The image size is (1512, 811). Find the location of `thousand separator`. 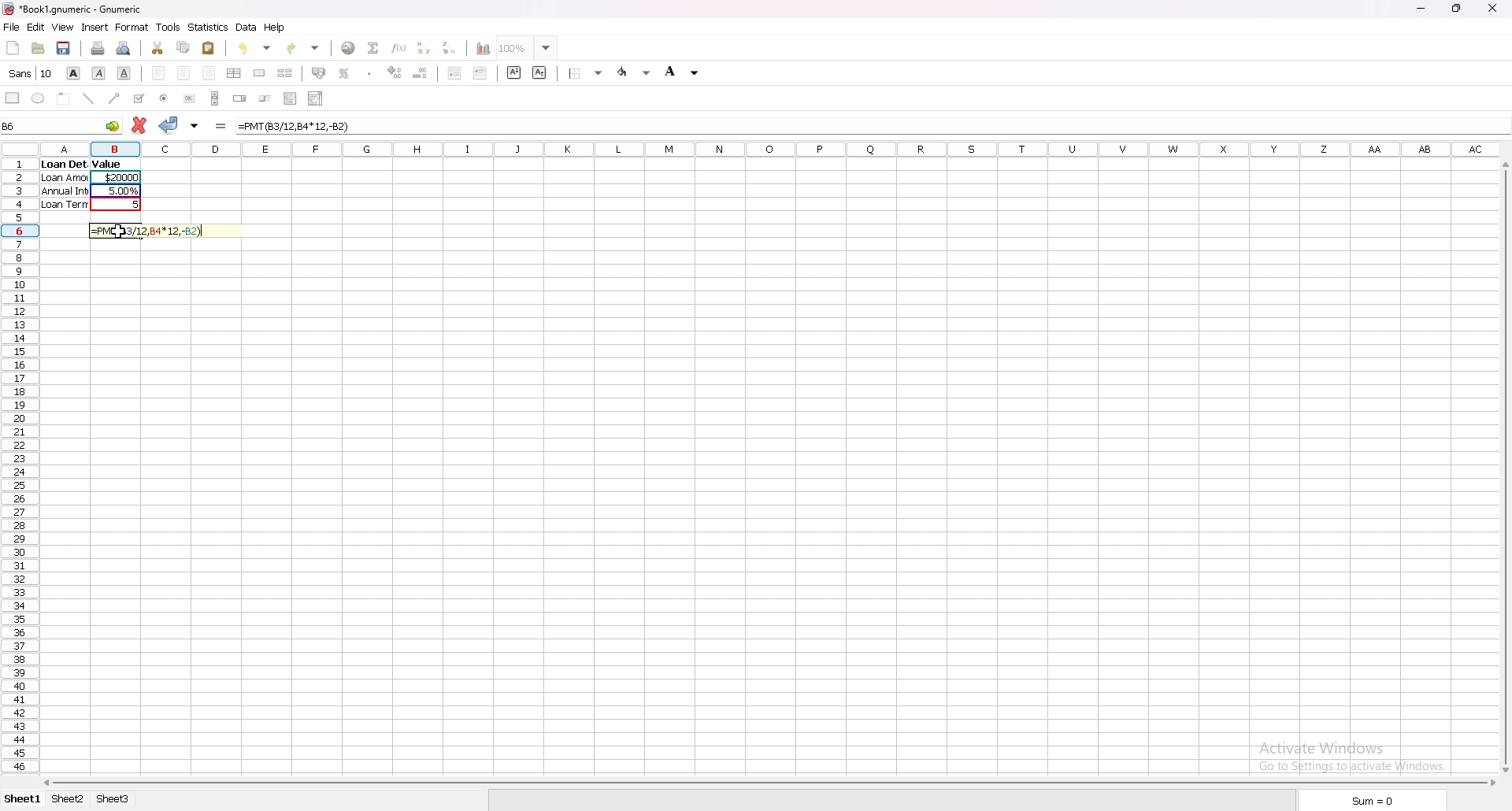

thousand separator is located at coordinates (370, 72).